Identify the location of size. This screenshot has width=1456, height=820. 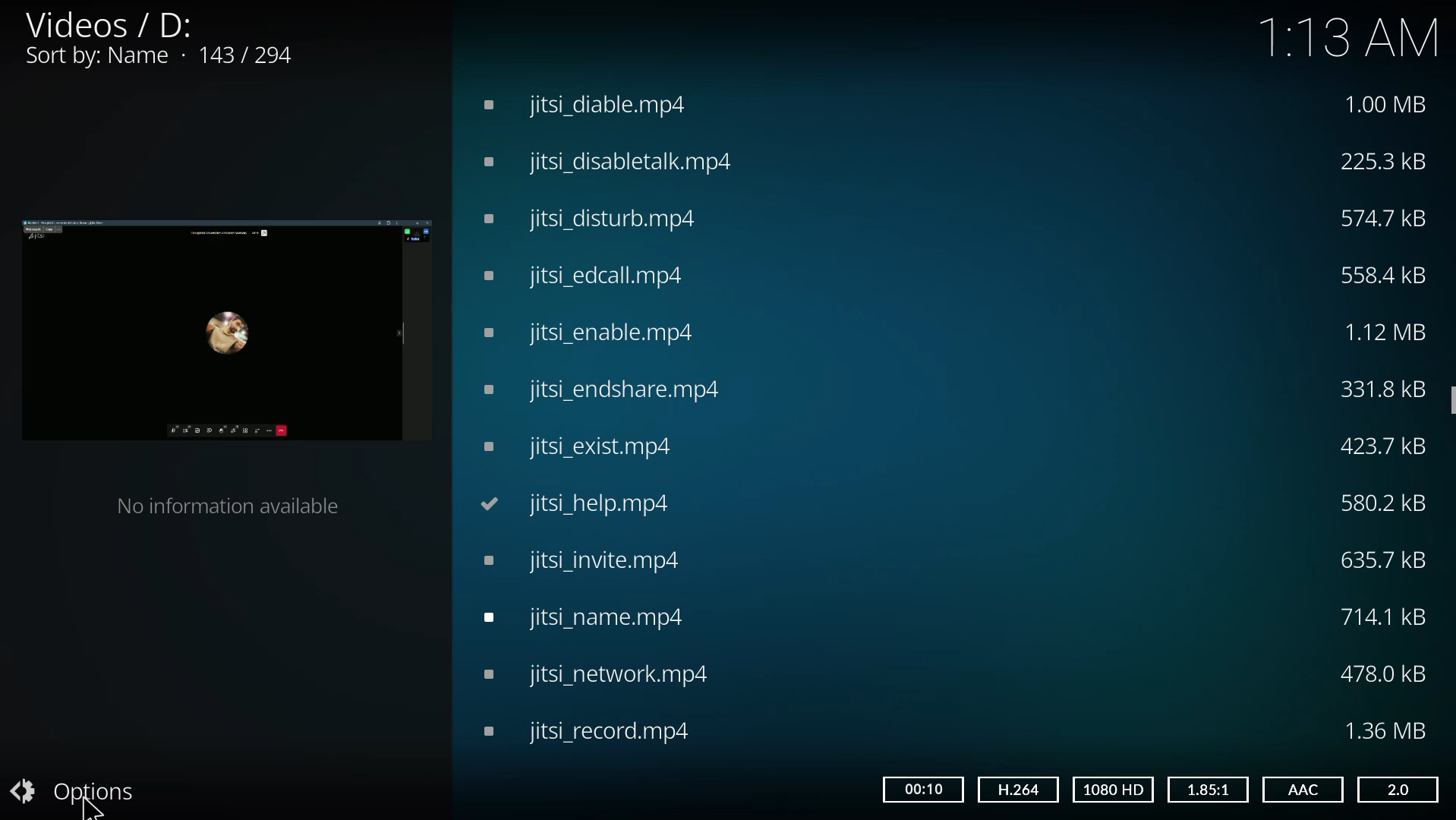
(1387, 557).